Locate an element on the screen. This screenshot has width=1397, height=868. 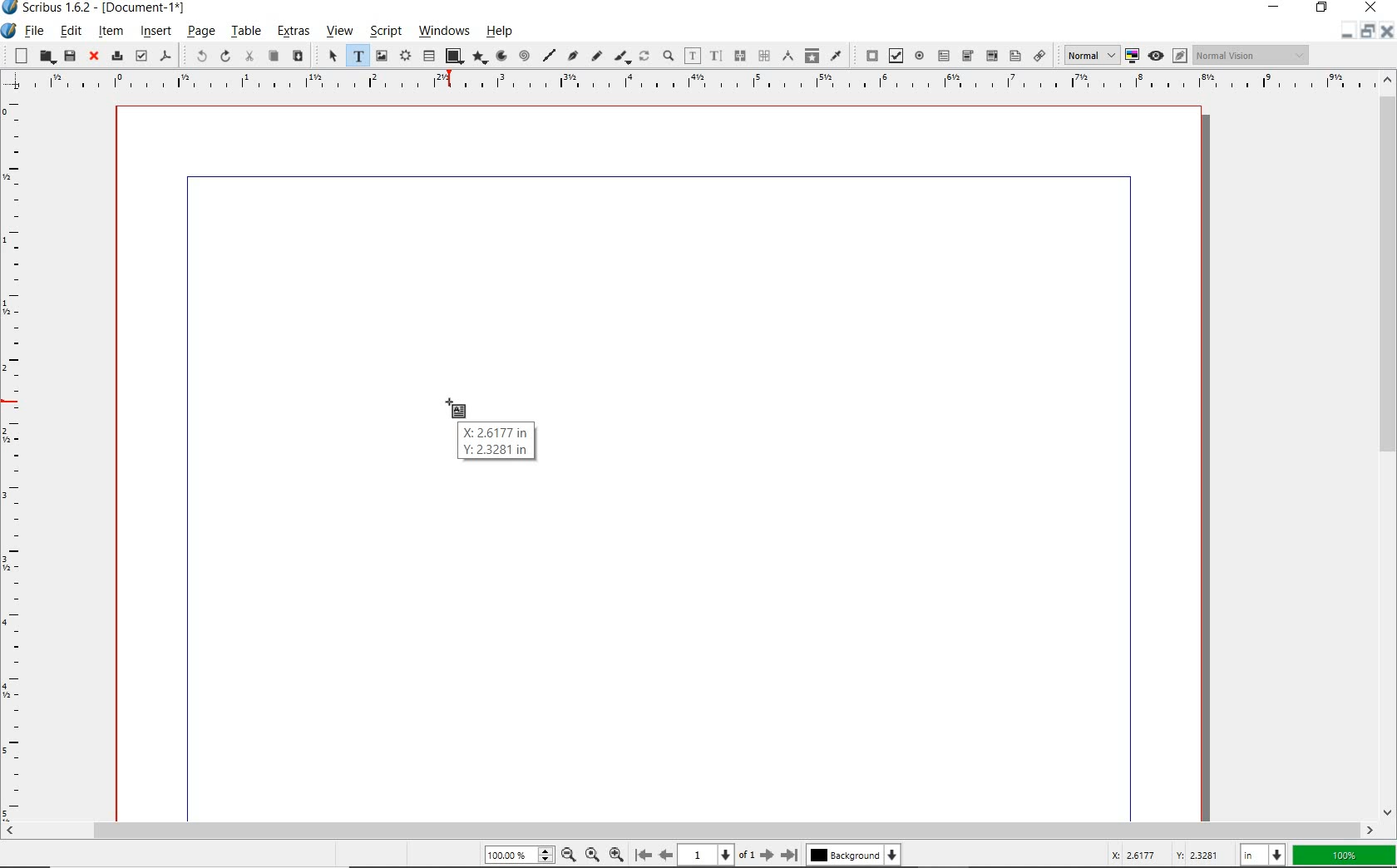
help is located at coordinates (499, 33).